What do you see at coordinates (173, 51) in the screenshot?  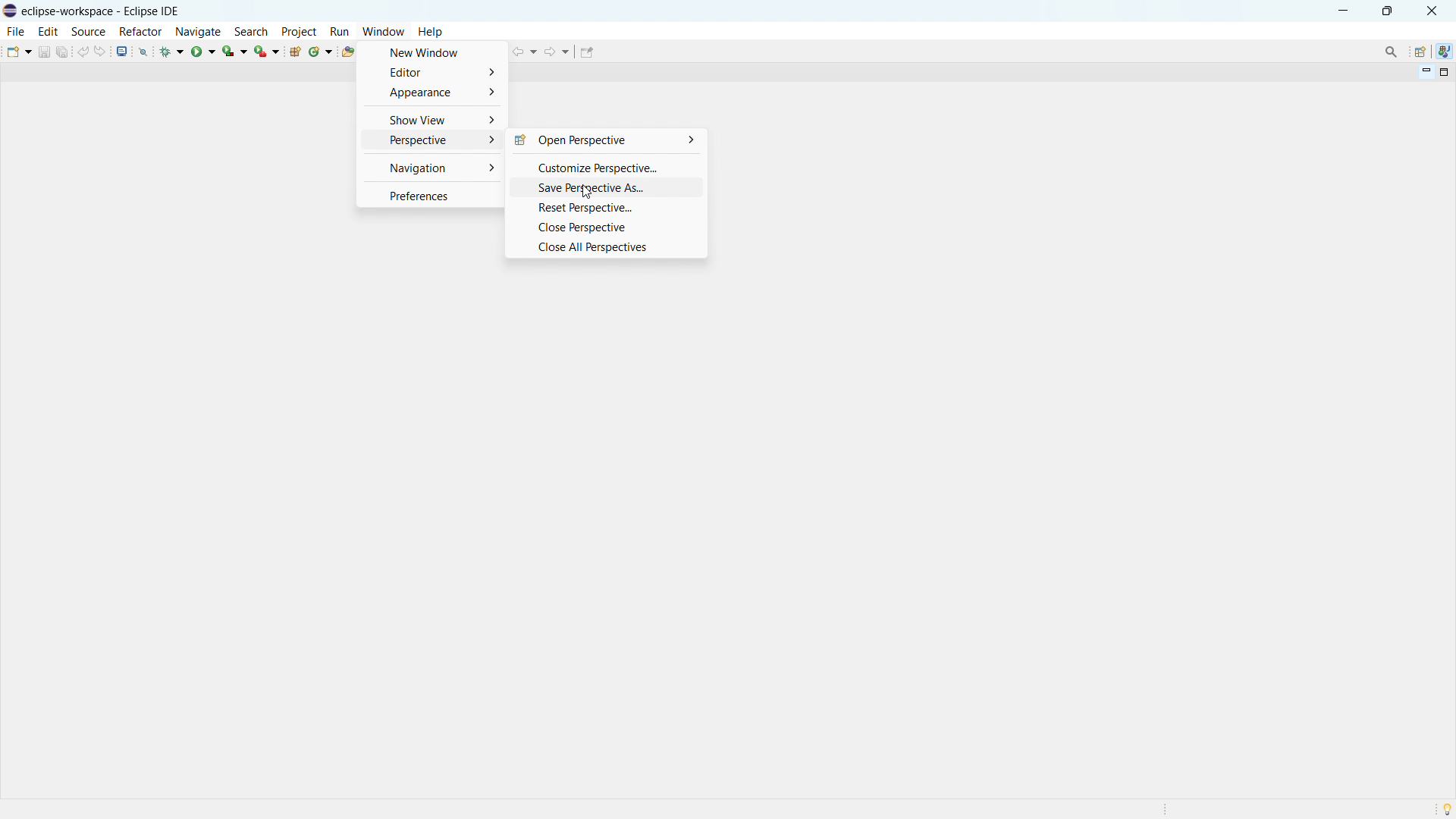 I see `debug` at bounding box center [173, 51].